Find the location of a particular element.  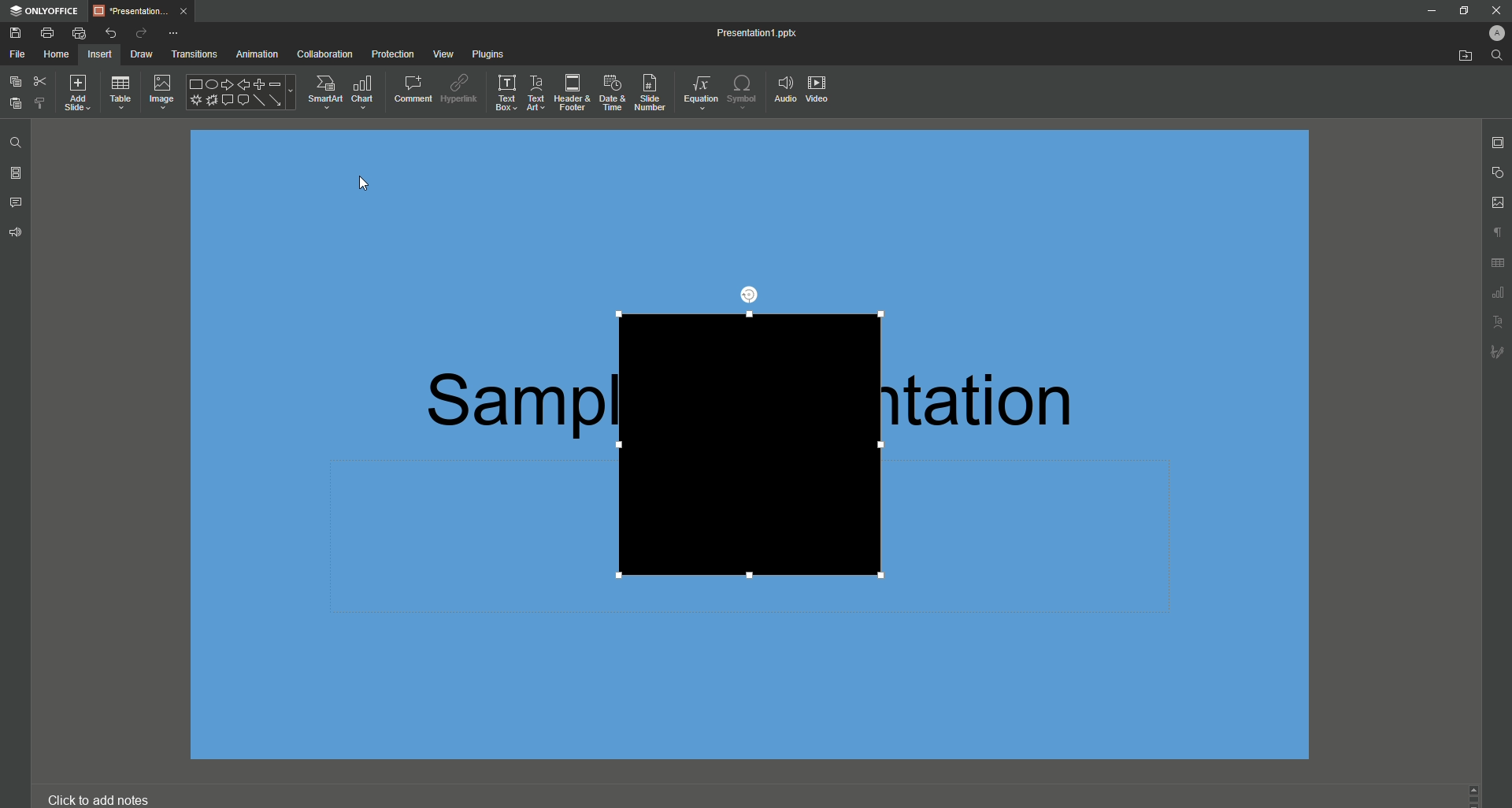

Text settings is located at coordinates (1499, 321).